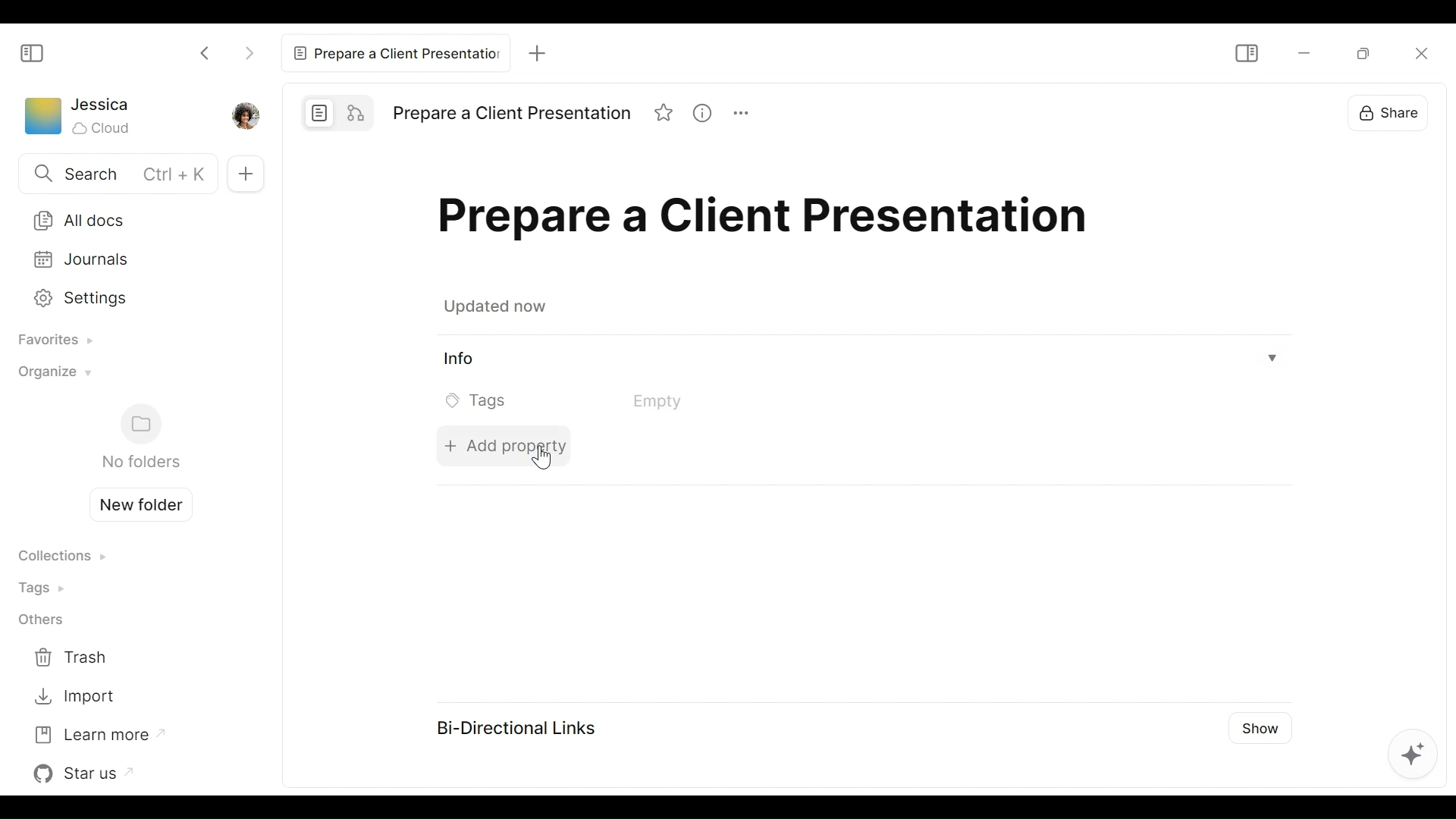  I want to click on Minimize, so click(1362, 52).